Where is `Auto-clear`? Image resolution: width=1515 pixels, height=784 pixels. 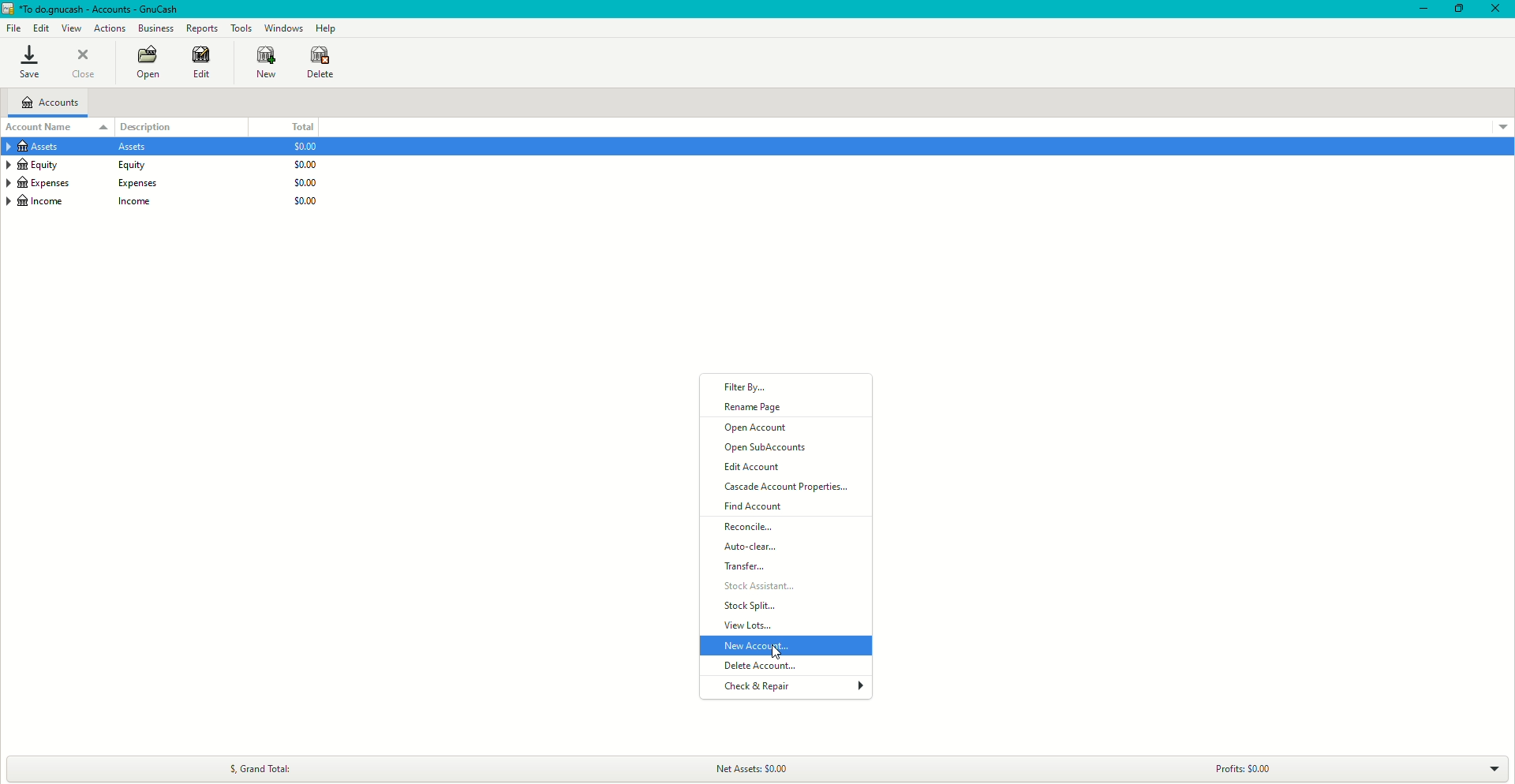 Auto-clear is located at coordinates (752, 547).